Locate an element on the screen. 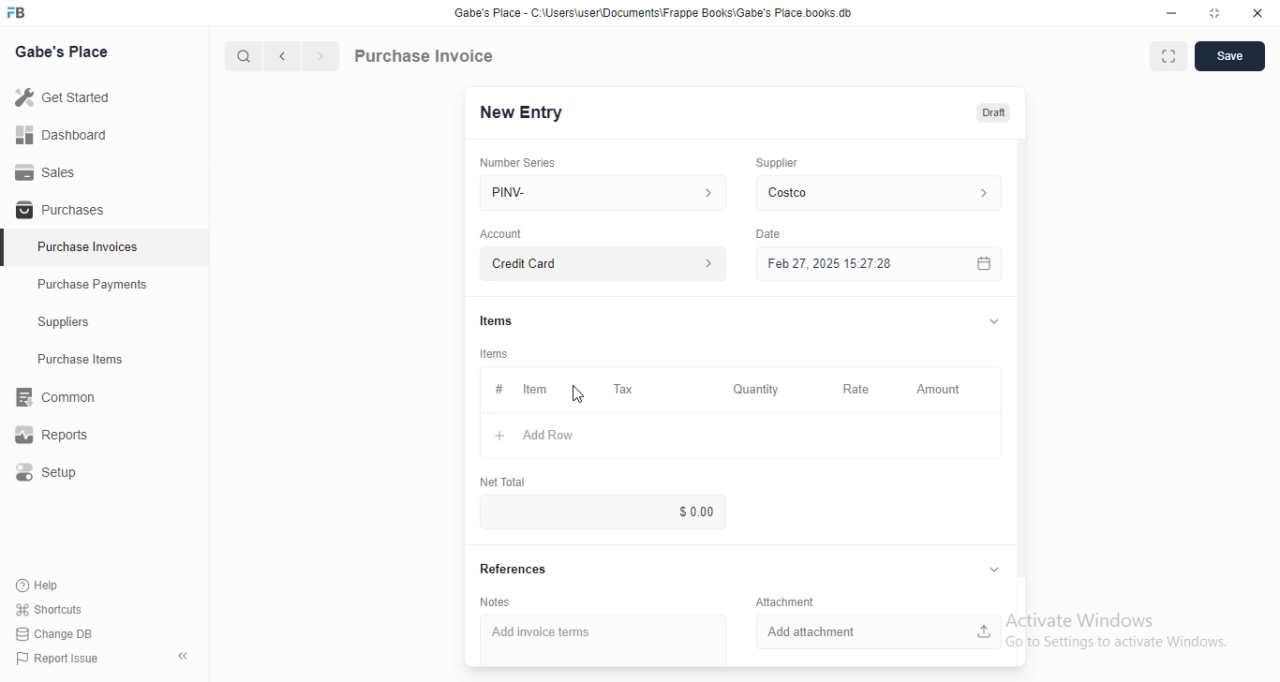  Credit Card is located at coordinates (603, 263).